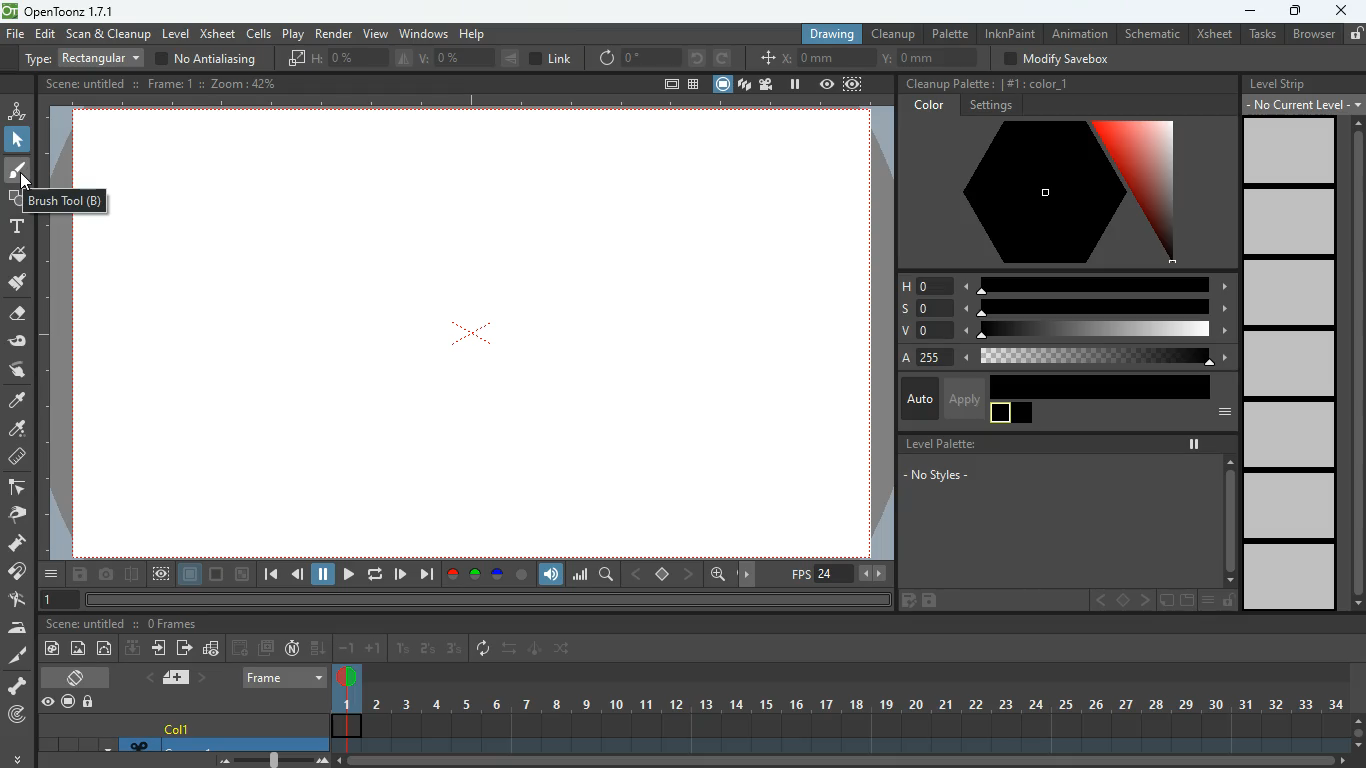 The height and width of the screenshot is (768, 1366). Describe the element at coordinates (15, 35) in the screenshot. I see `file` at that location.